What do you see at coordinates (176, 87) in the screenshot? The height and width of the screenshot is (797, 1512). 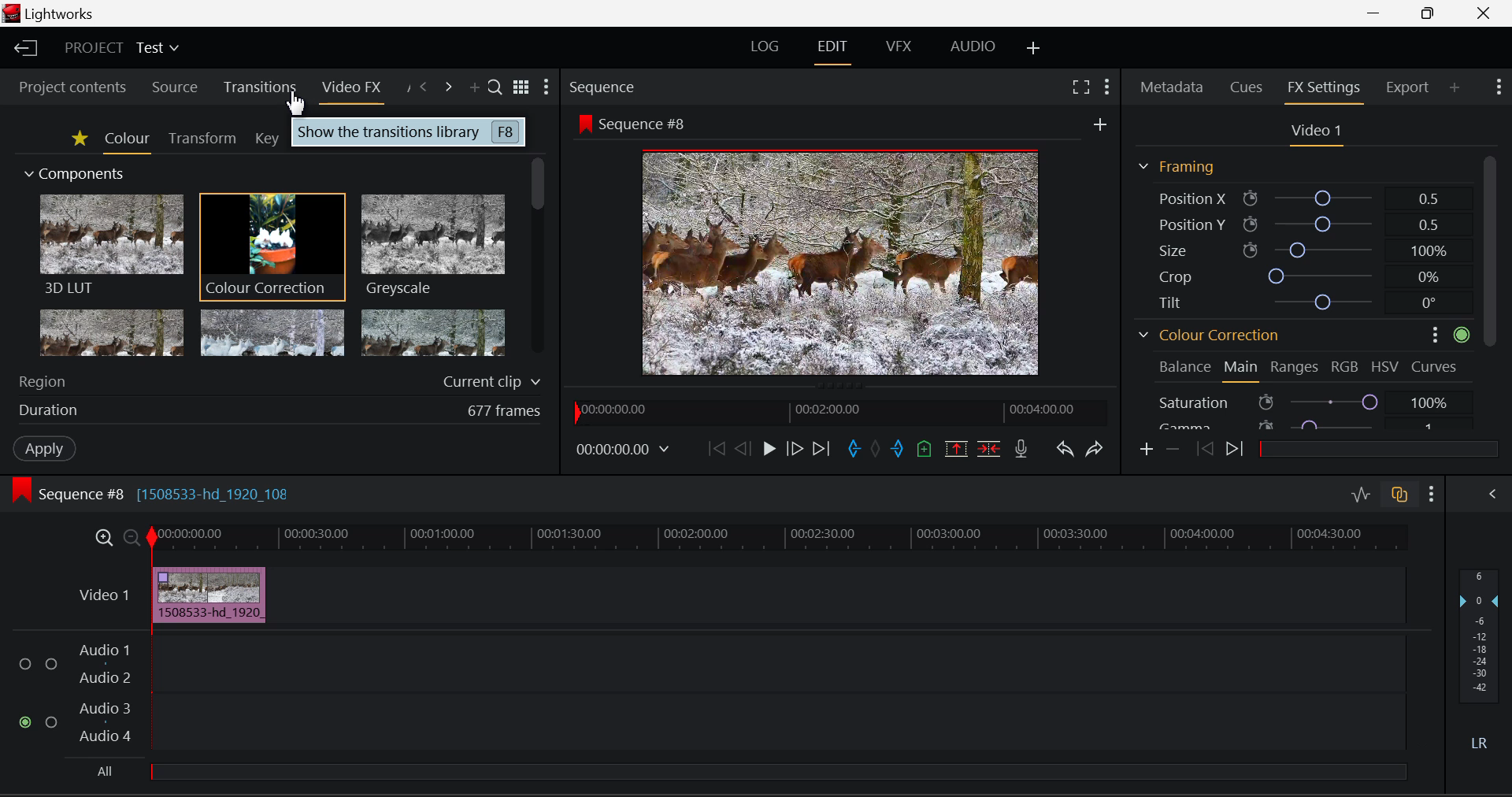 I see `Source` at bounding box center [176, 87].